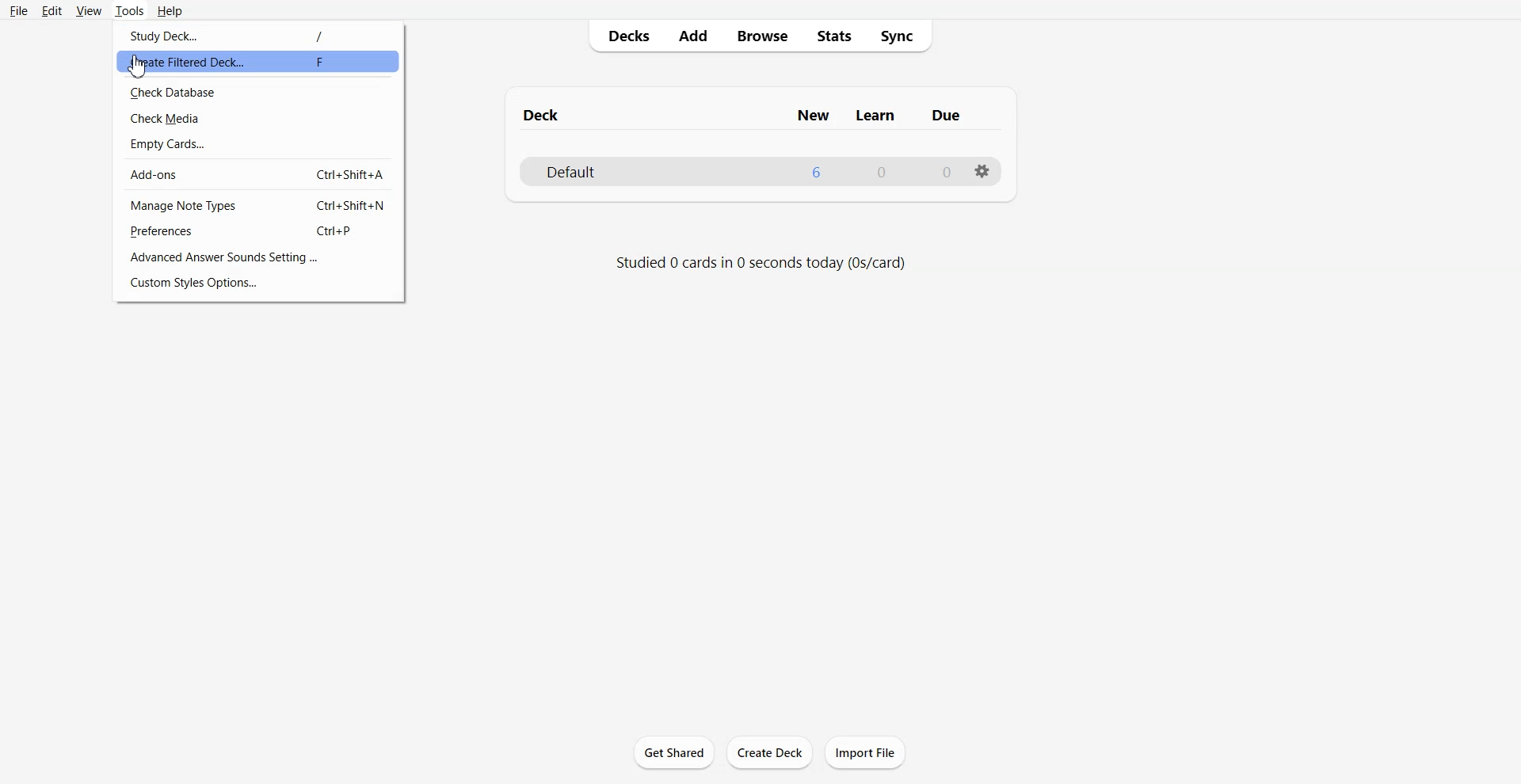 This screenshot has width=1521, height=784. What do you see at coordinates (53, 11) in the screenshot?
I see `Edit` at bounding box center [53, 11].